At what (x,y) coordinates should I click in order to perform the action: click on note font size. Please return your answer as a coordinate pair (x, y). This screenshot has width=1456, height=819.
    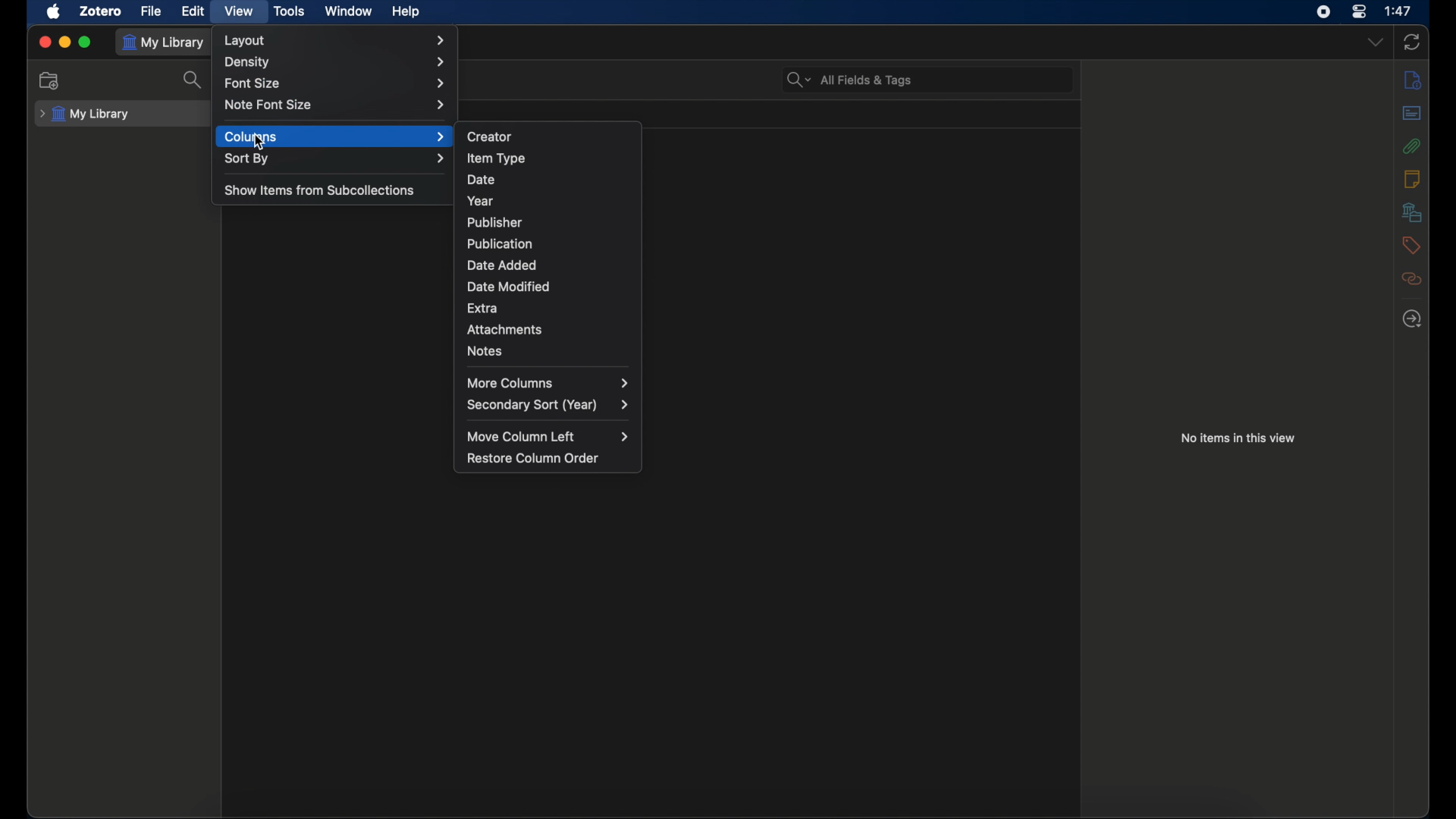
    Looking at the image, I should click on (336, 105).